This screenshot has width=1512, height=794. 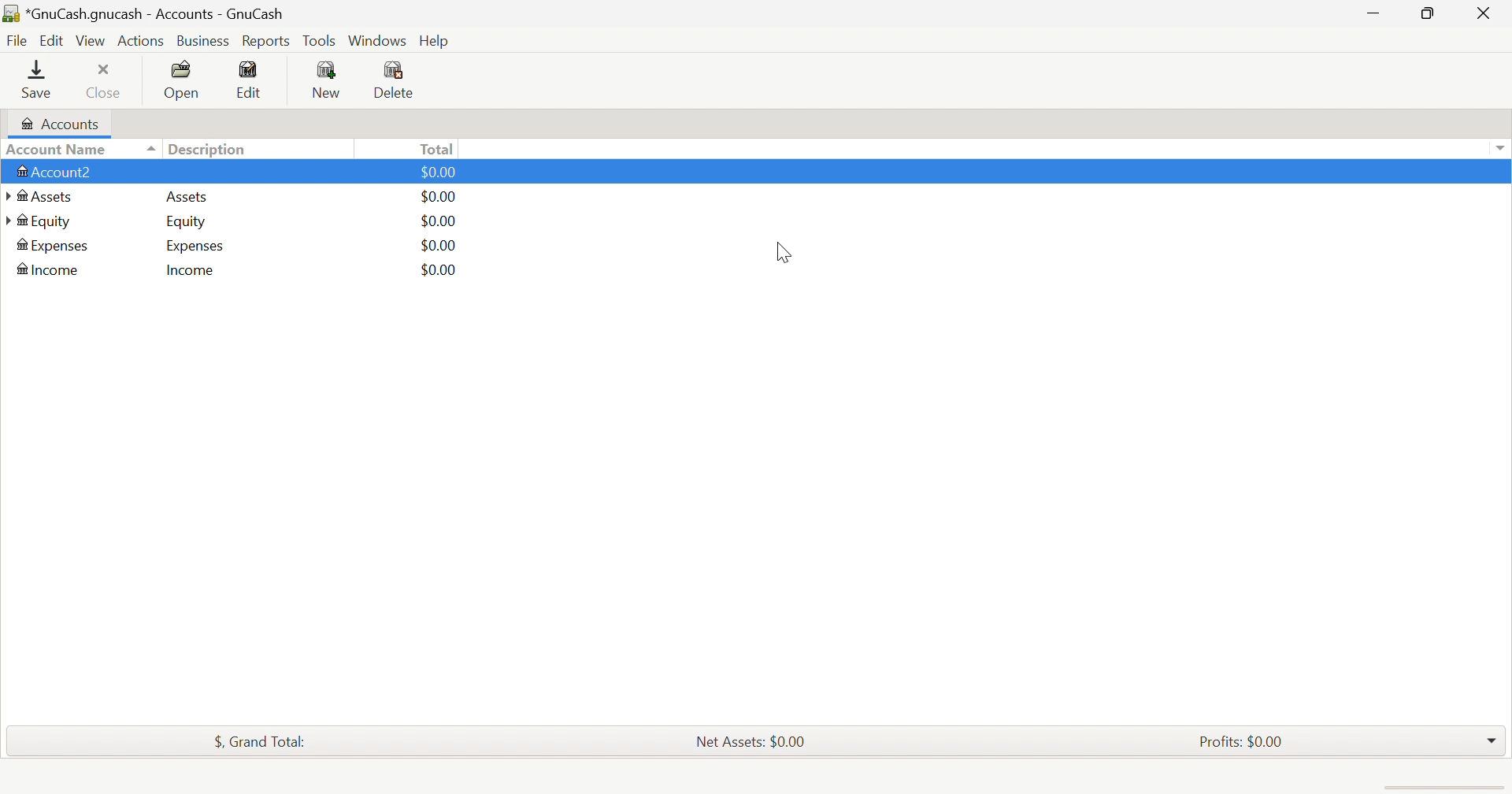 What do you see at coordinates (183, 198) in the screenshot?
I see `Assets` at bounding box center [183, 198].